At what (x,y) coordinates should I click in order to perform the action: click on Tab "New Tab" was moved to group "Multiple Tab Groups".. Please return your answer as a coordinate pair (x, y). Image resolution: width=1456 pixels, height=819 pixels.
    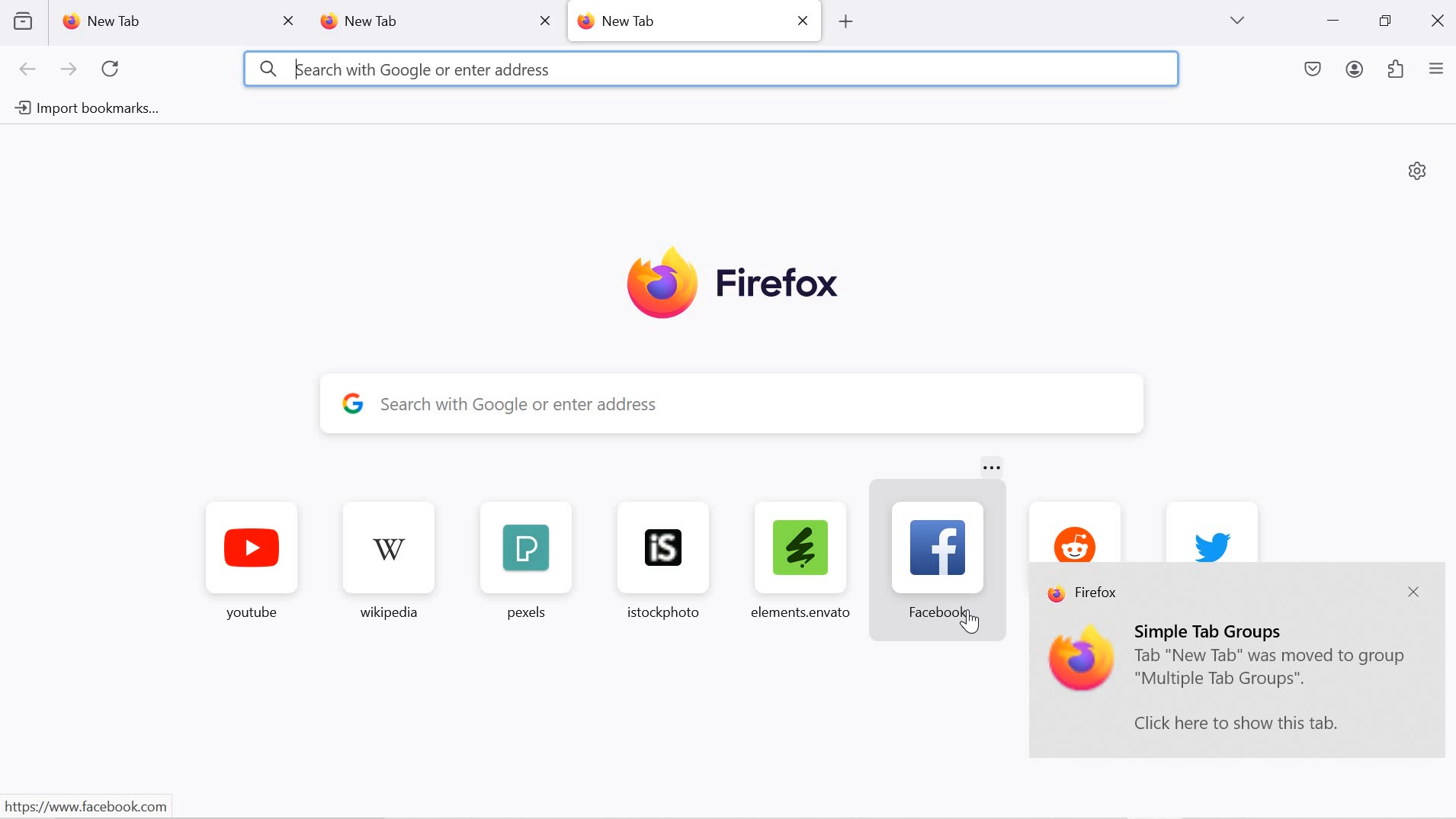
    Looking at the image, I should click on (1272, 670).